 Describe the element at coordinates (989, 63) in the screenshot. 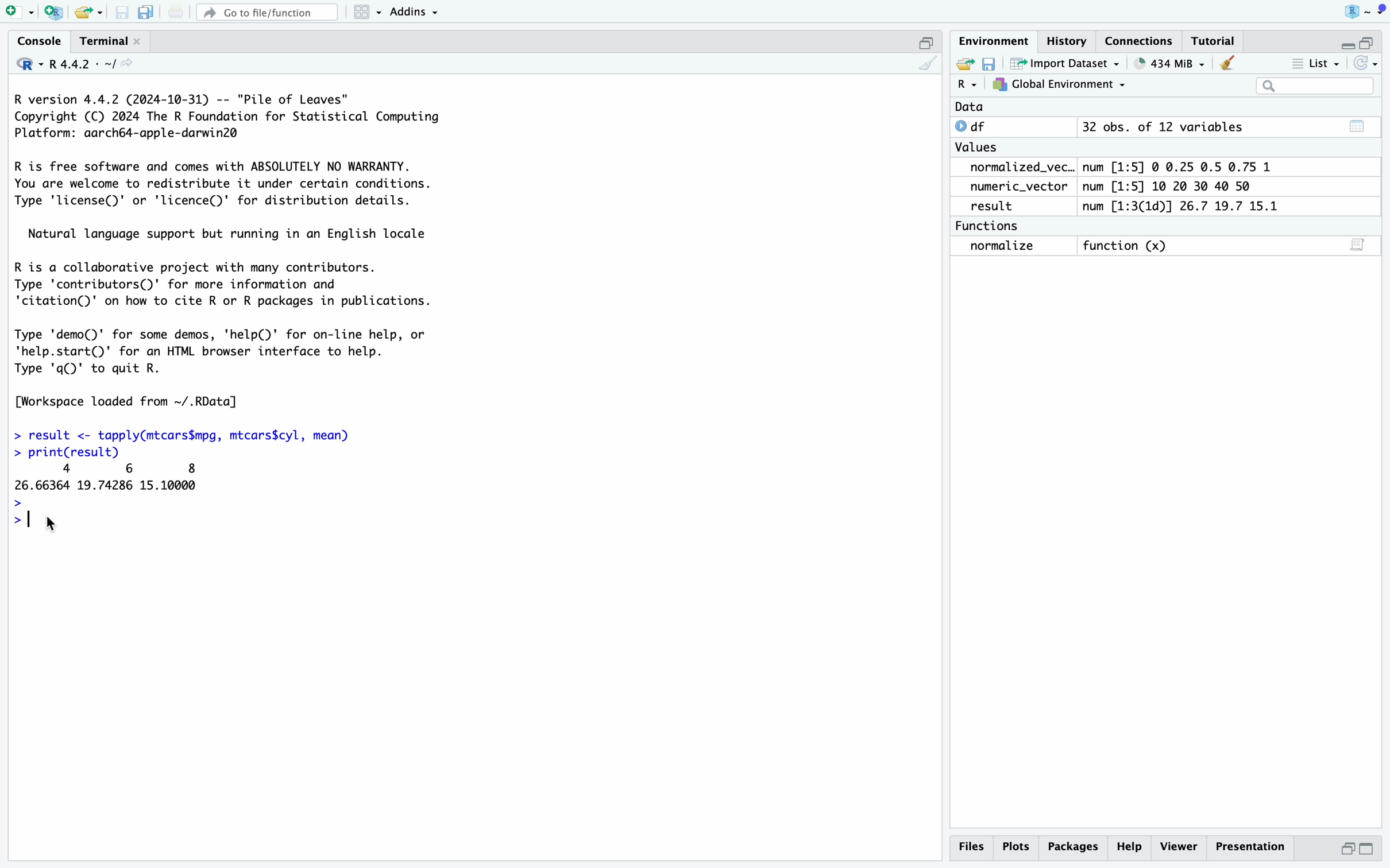

I see `Save` at that location.